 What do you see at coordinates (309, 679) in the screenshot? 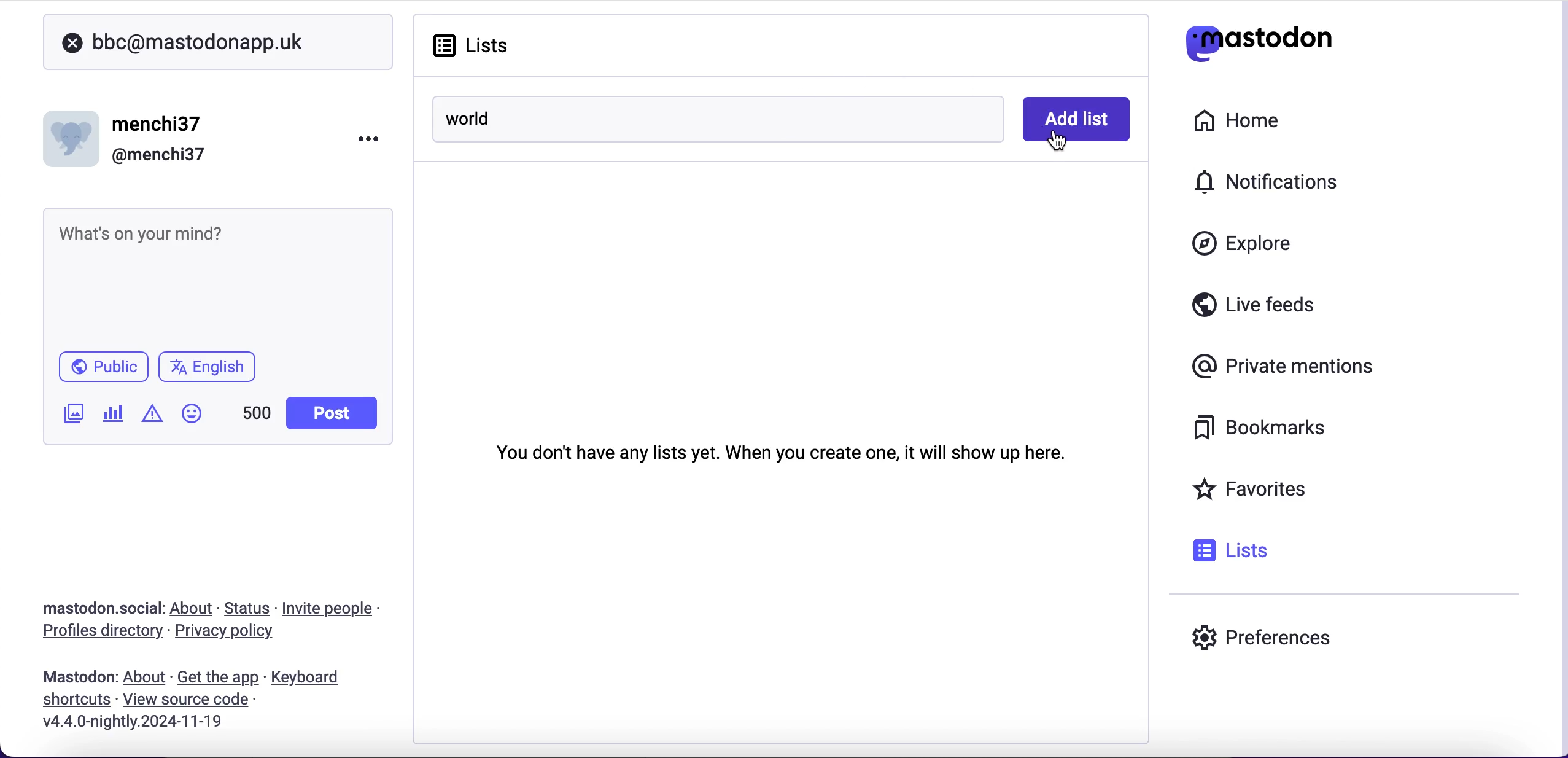
I see `keyboard` at bounding box center [309, 679].